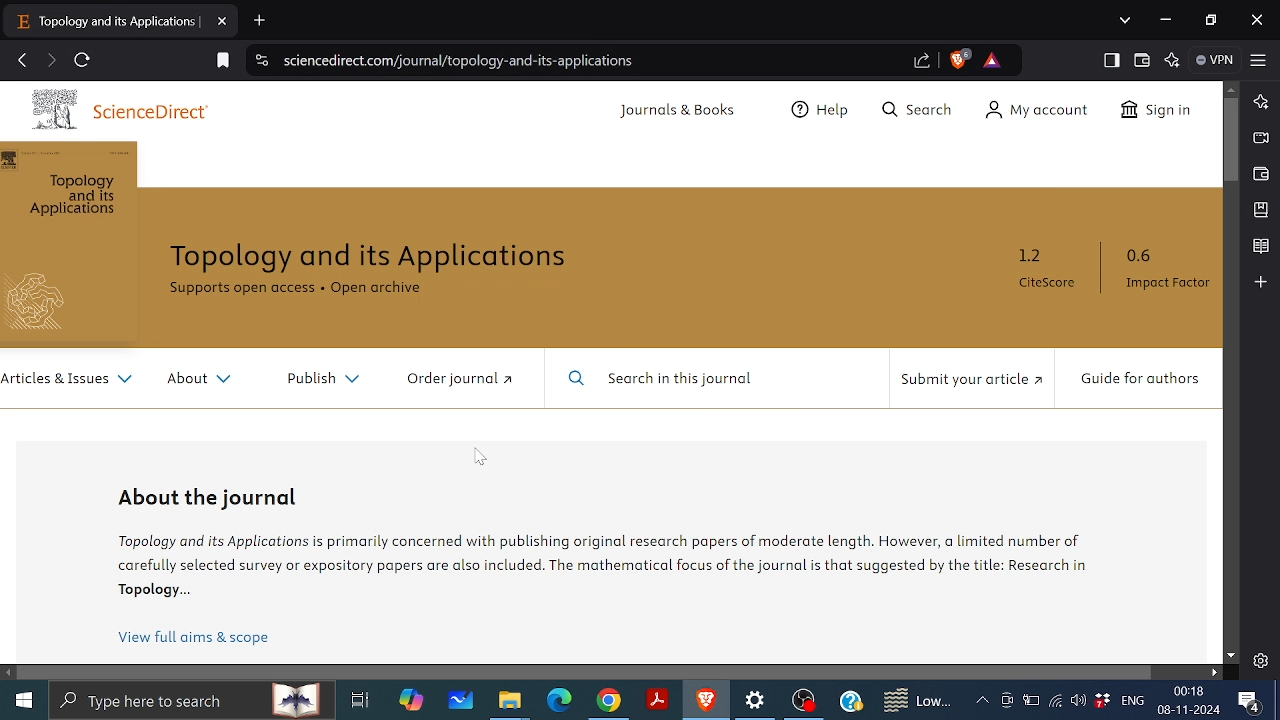 This screenshot has width=1280, height=720. I want to click on View full aims & scope, so click(194, 633).